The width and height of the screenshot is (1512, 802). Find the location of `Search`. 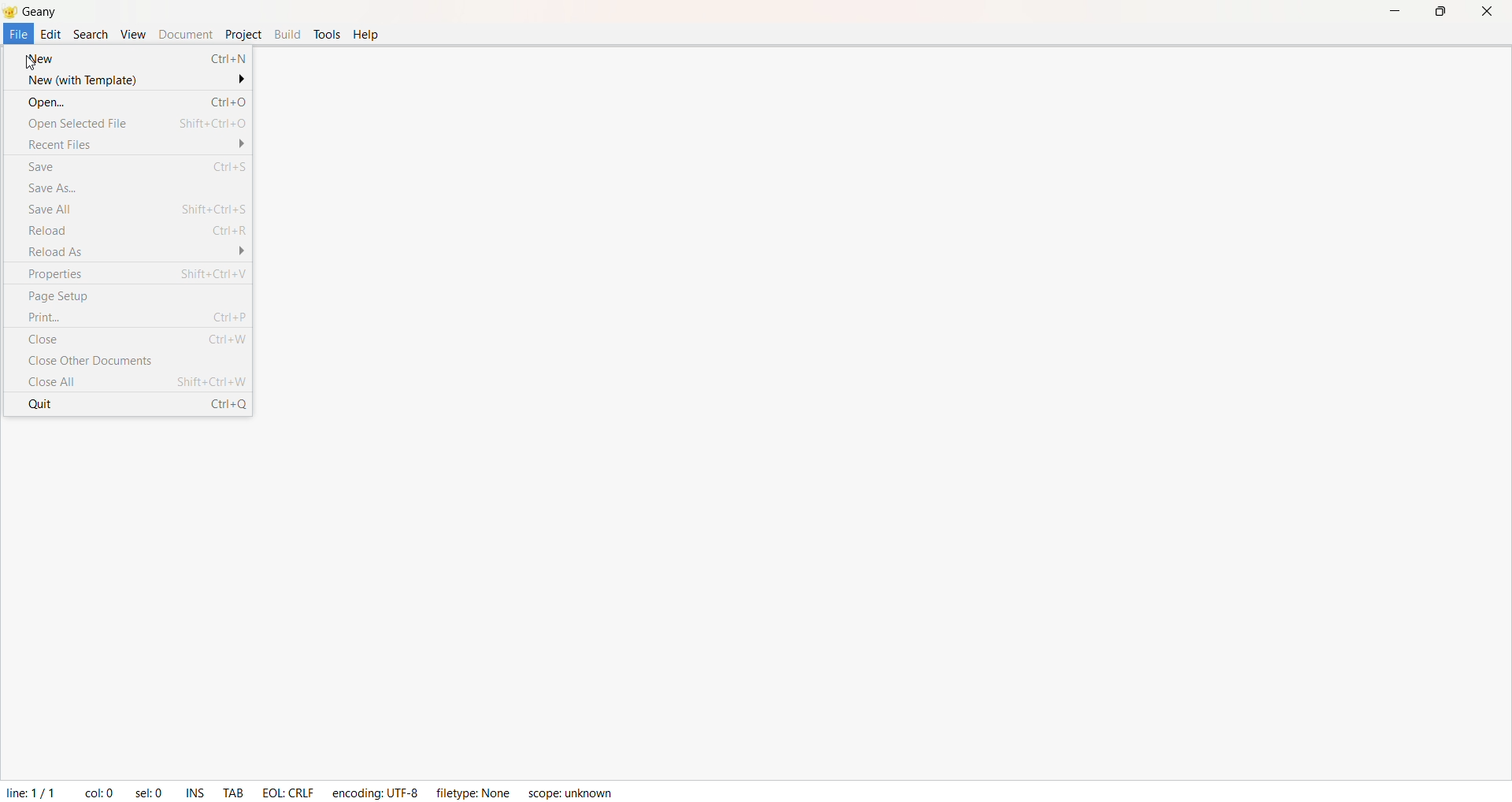

Search is located at coordinates (89, 35).